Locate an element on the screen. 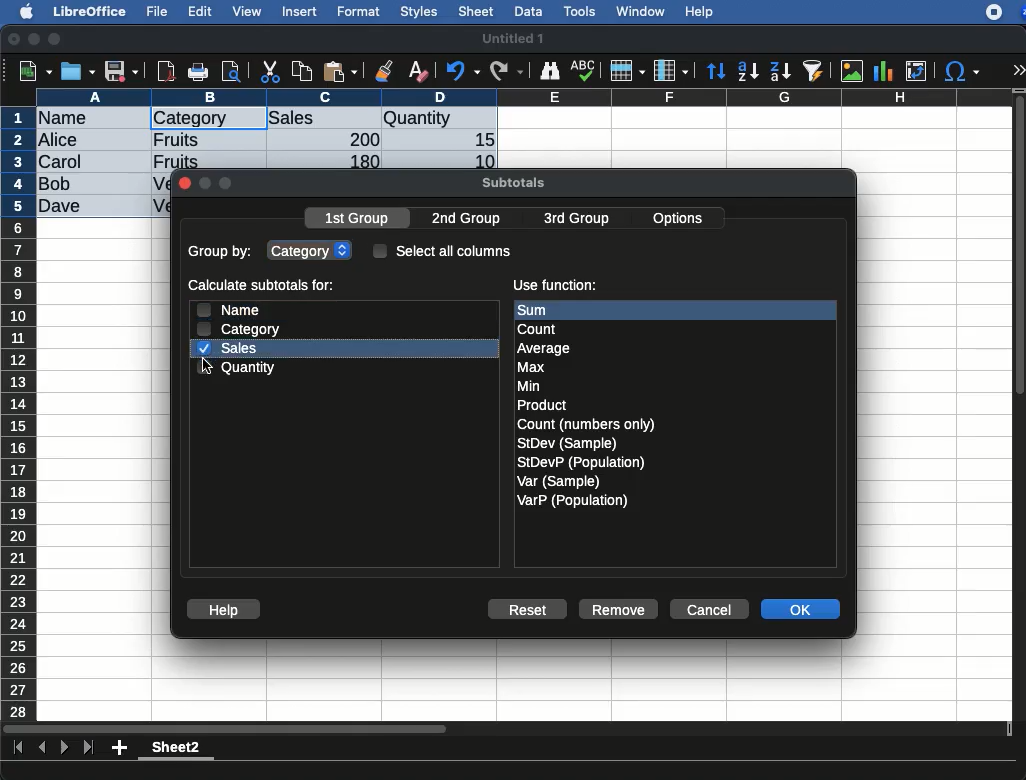 The image size is (1026, 780). sheet is located at coordinates (477, 11).